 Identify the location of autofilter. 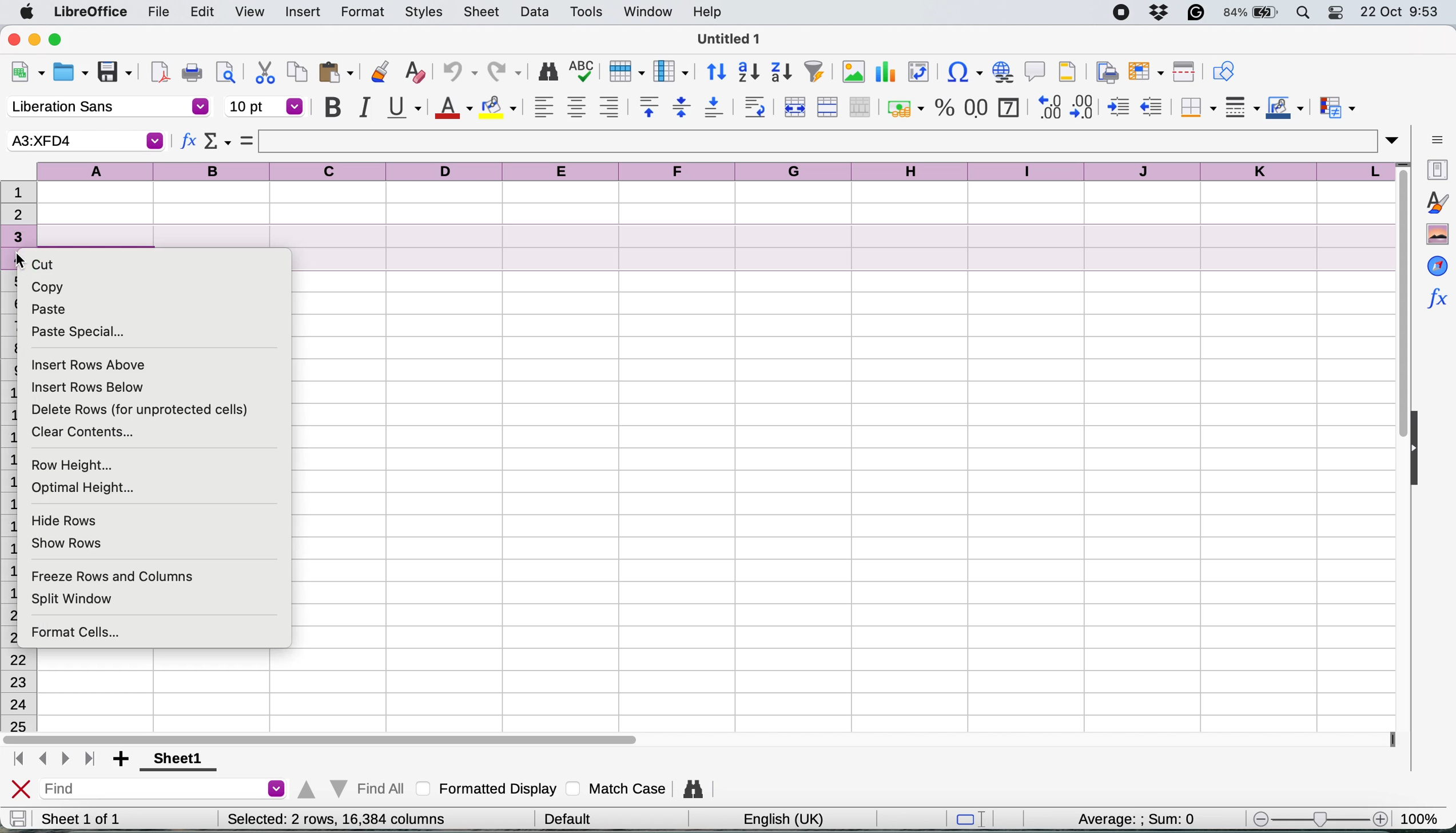
(814, 72).